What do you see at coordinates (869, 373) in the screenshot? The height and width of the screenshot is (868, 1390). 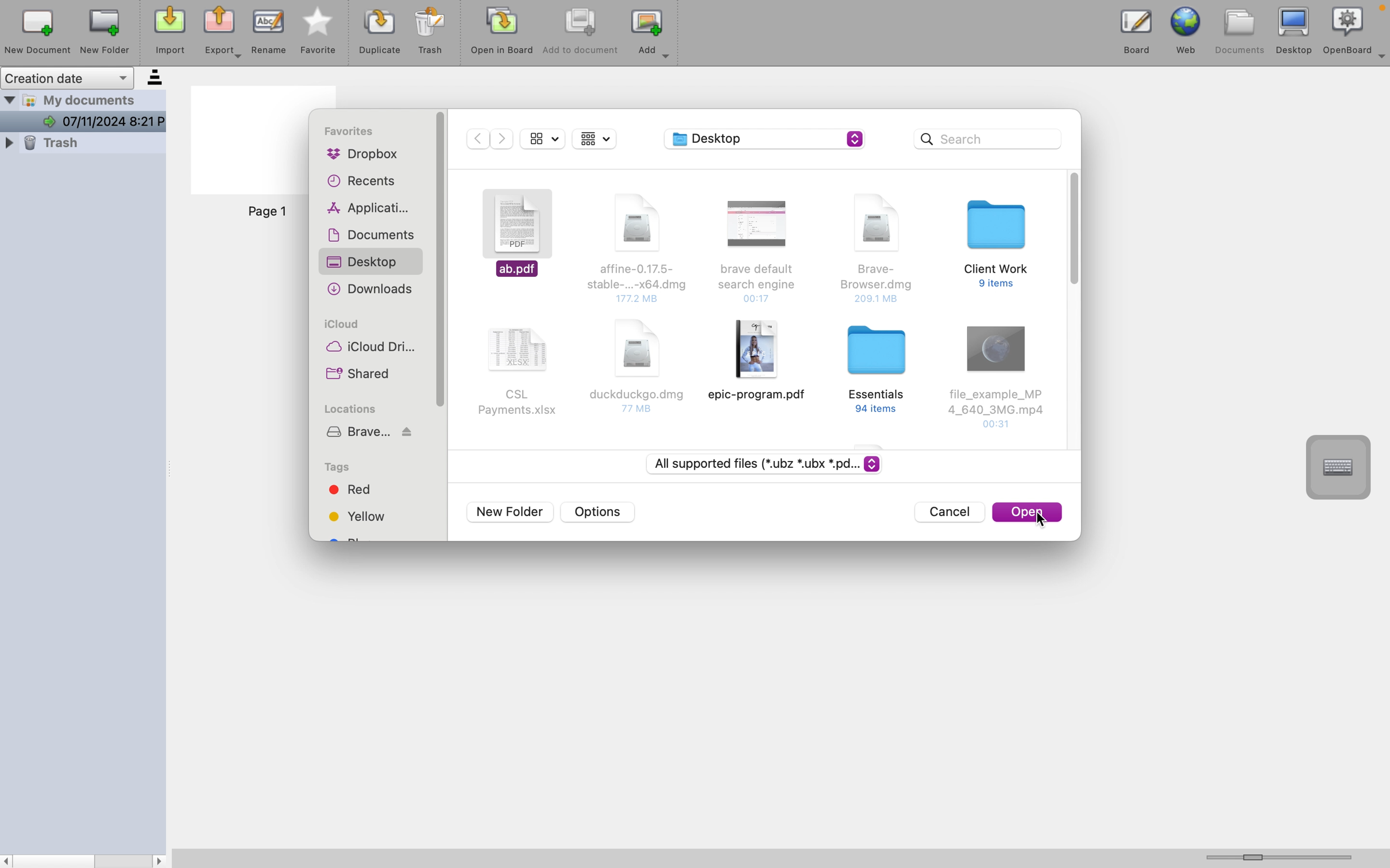 I see `document` at bounding box center [869, 373].